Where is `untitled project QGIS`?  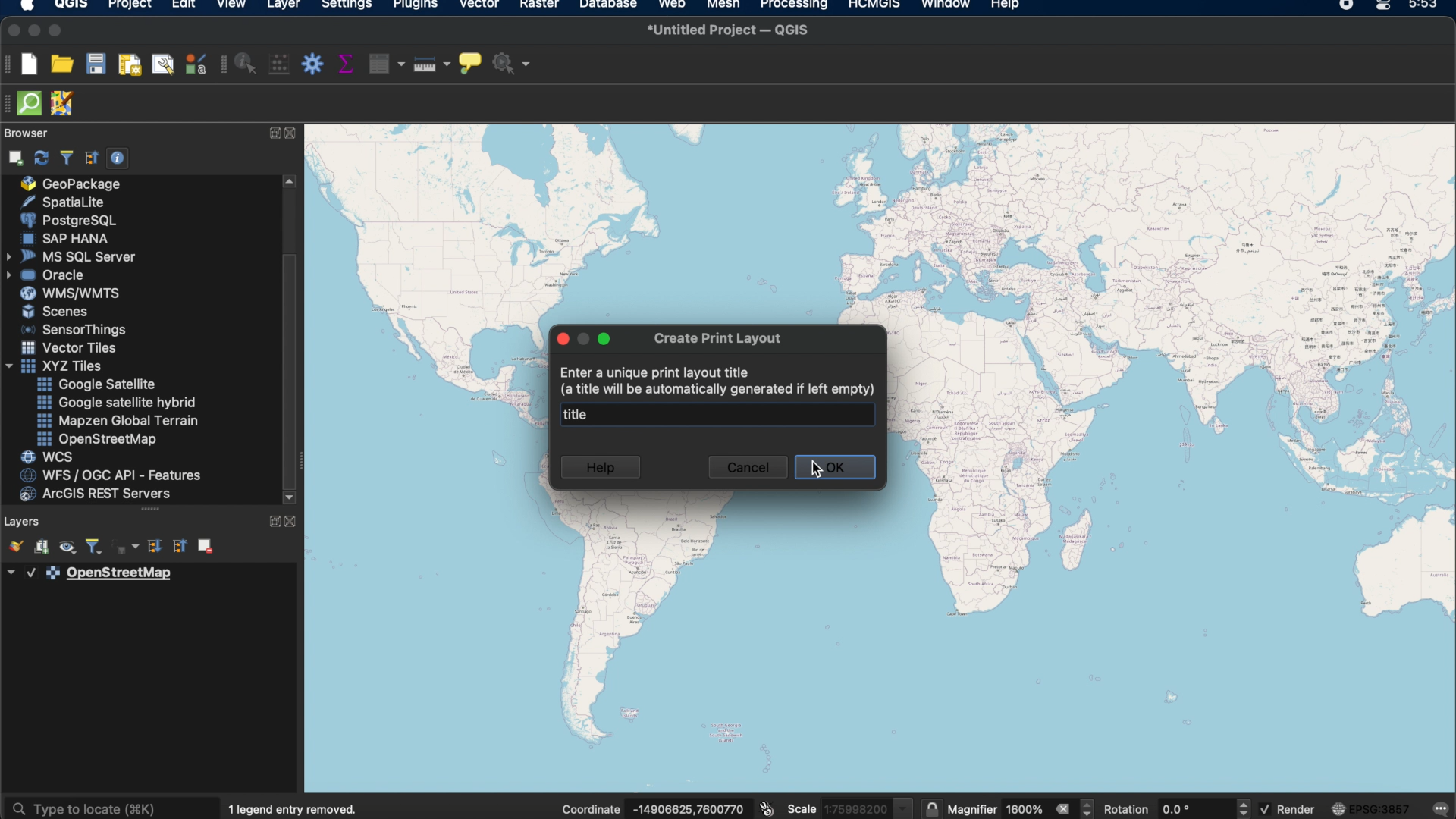
untitled project QGIS is located at coordinates (733, 30).